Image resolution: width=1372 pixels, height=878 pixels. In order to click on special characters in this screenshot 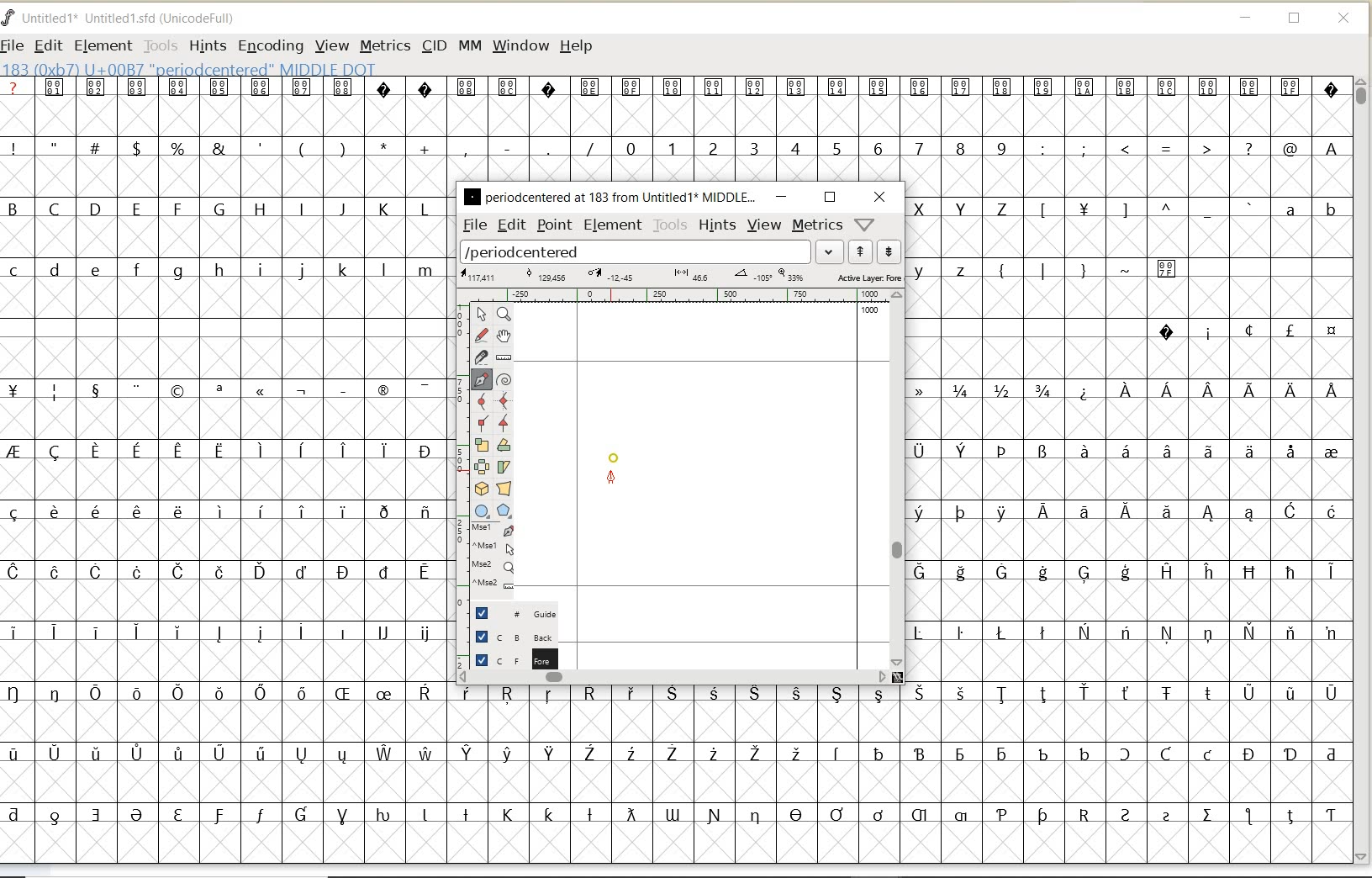, I will do `click(1108, 276)`.